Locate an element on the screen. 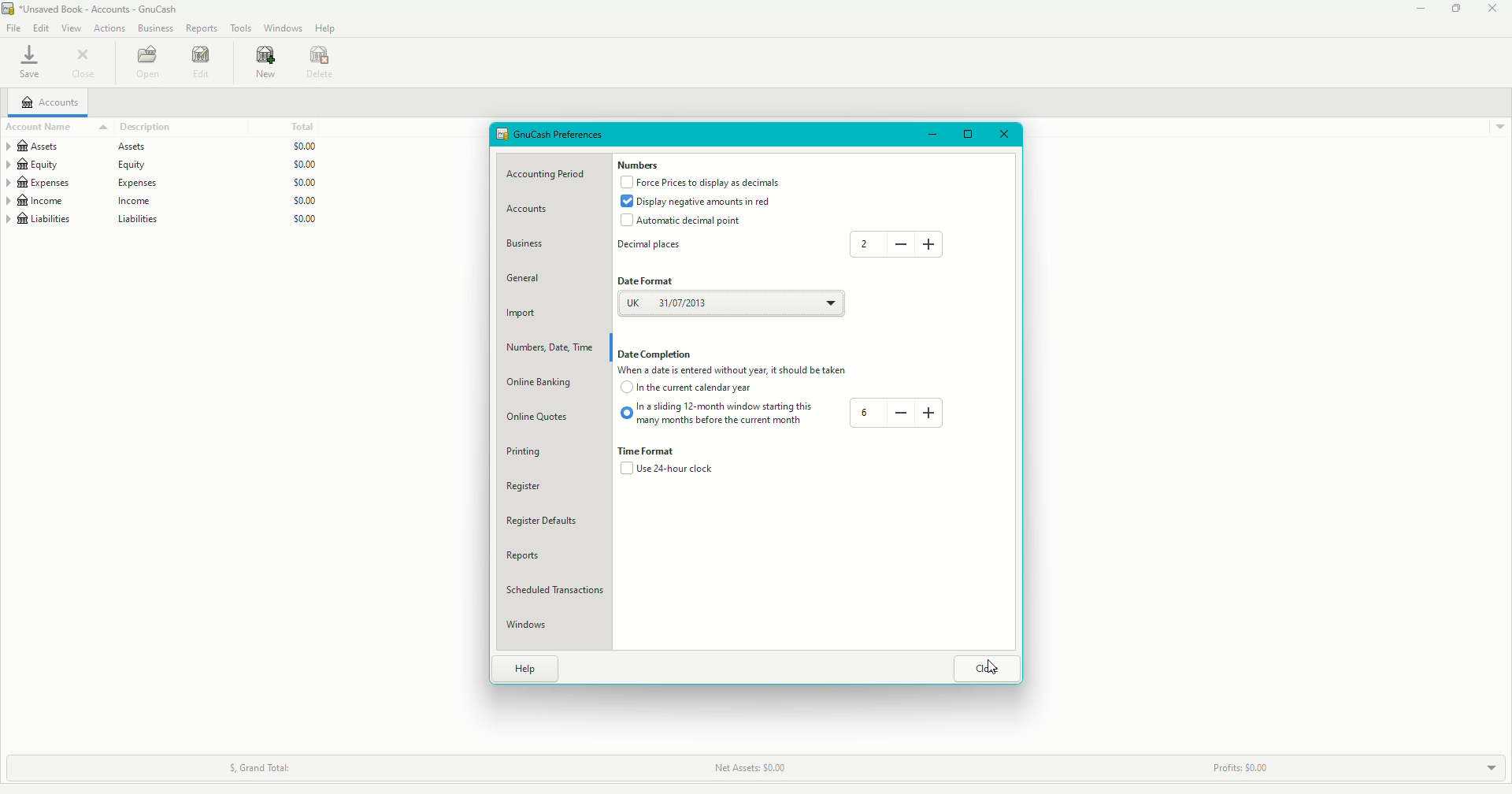 Image resolution: width=1512 pixels, height=794 pixels. Assets is located at coordinates (165, 147).